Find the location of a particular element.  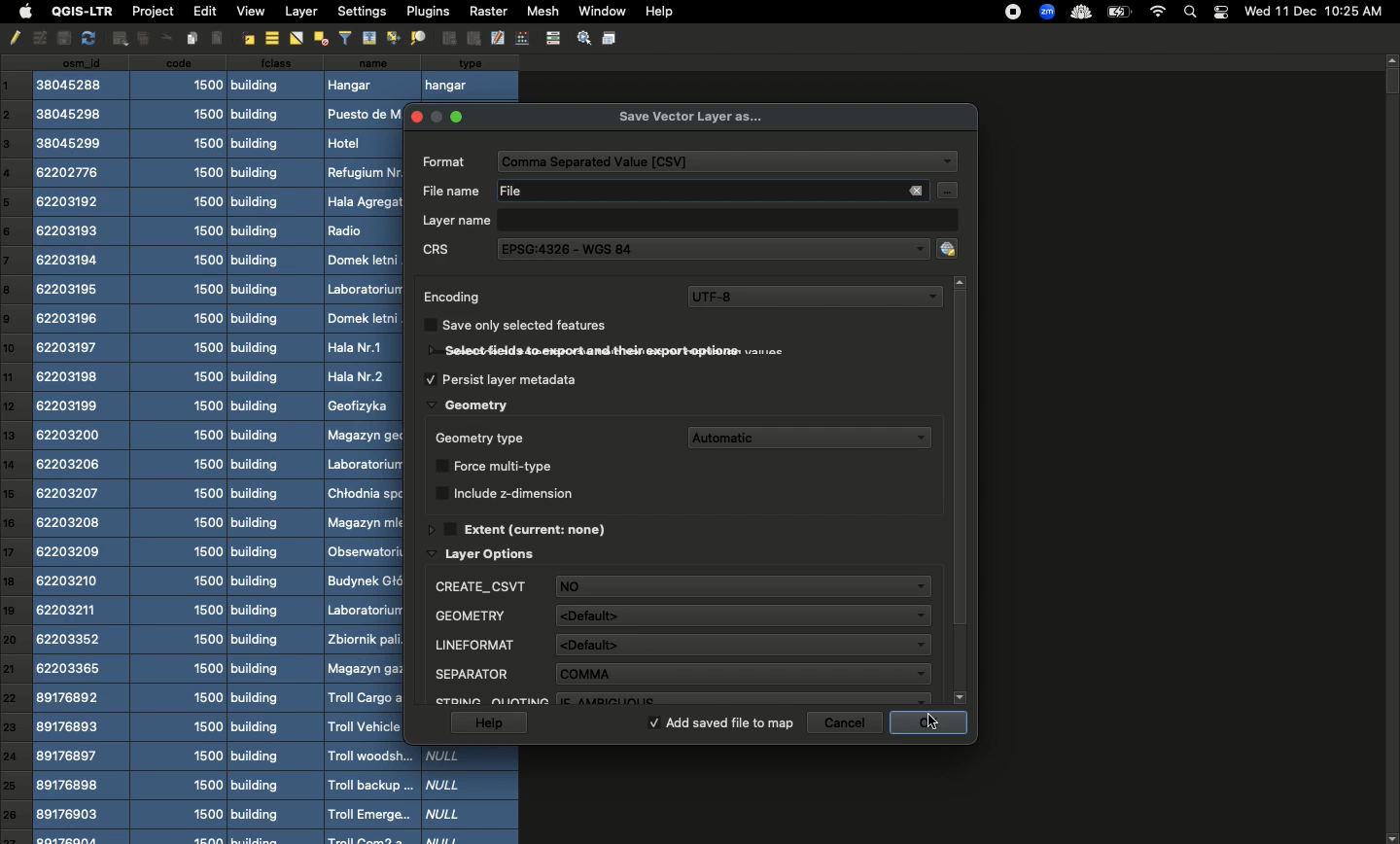

Extent is located at coordinates (532, 525).